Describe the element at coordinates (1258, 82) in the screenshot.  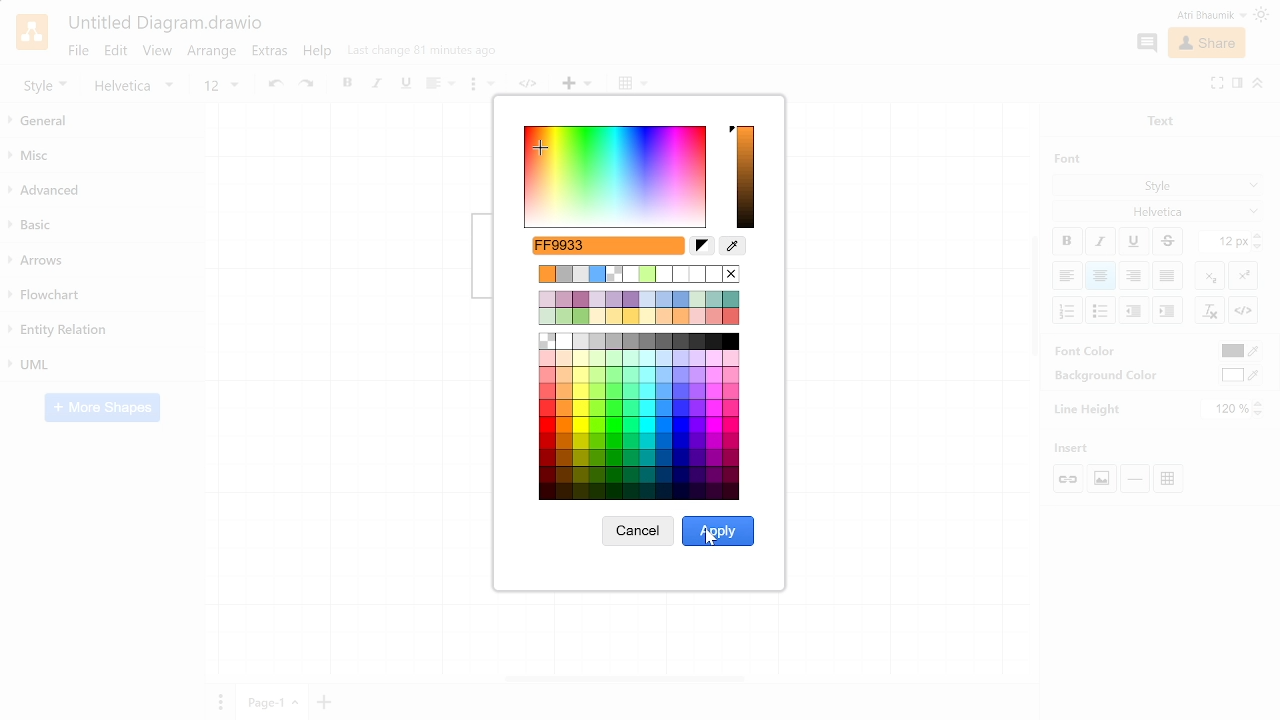
I see `collapse` at that location.